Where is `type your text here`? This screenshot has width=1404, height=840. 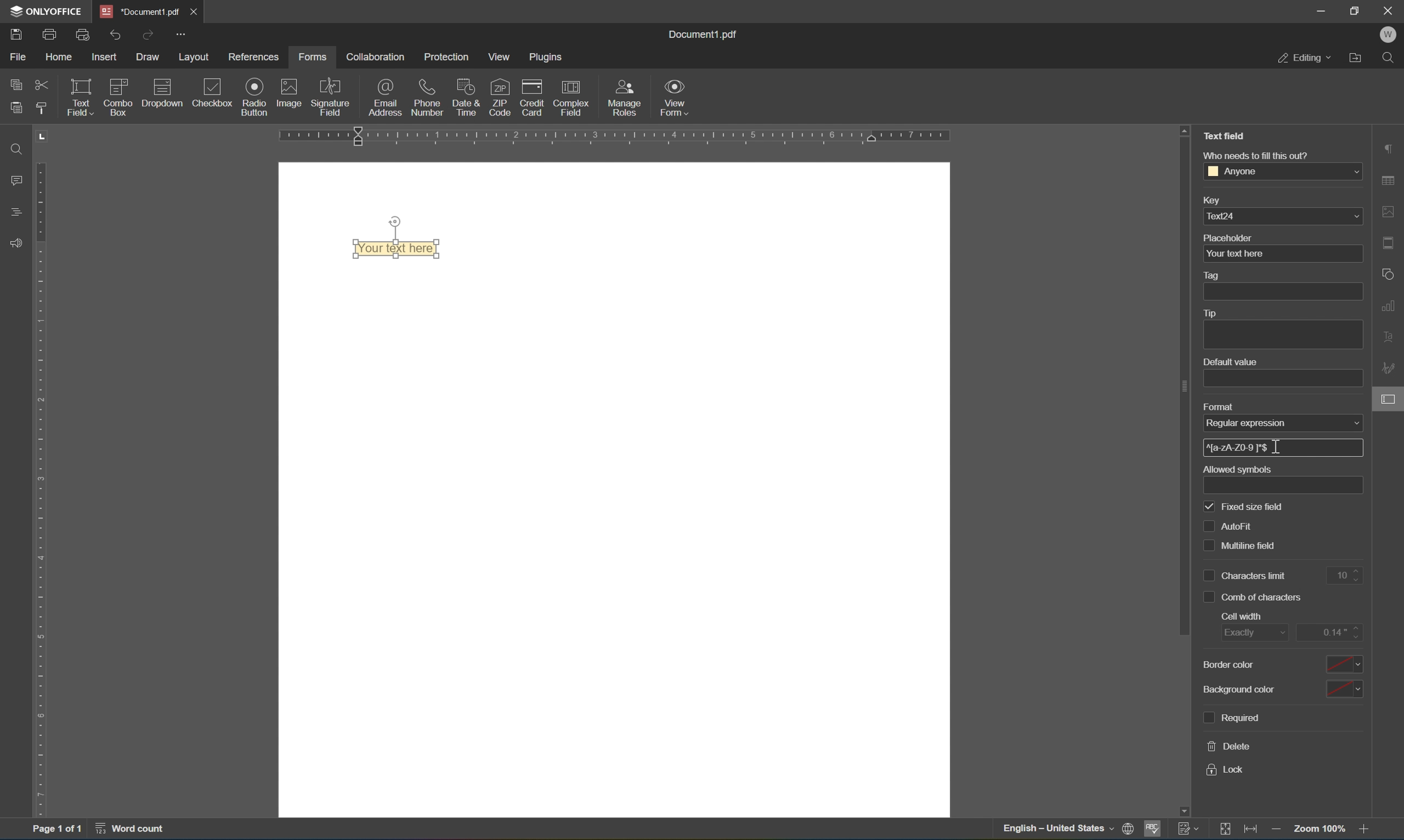
type your text here is located at coordinates (396, 248).